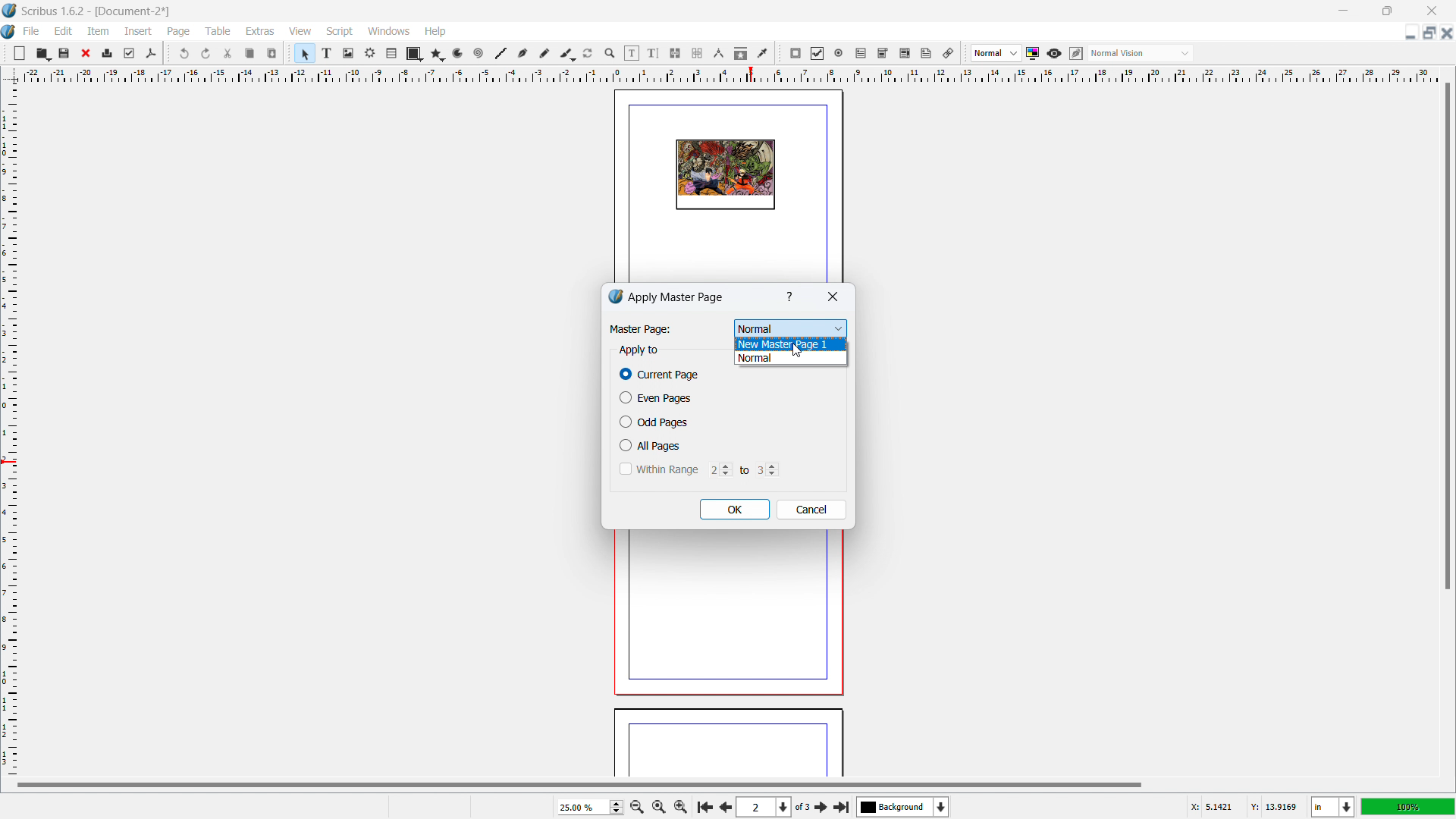 Image resolution: width=1456 pixels, height=819 pixels. Describe the element at coordinates (590, 807) in the screenshot. I see `zoom level` at that location.